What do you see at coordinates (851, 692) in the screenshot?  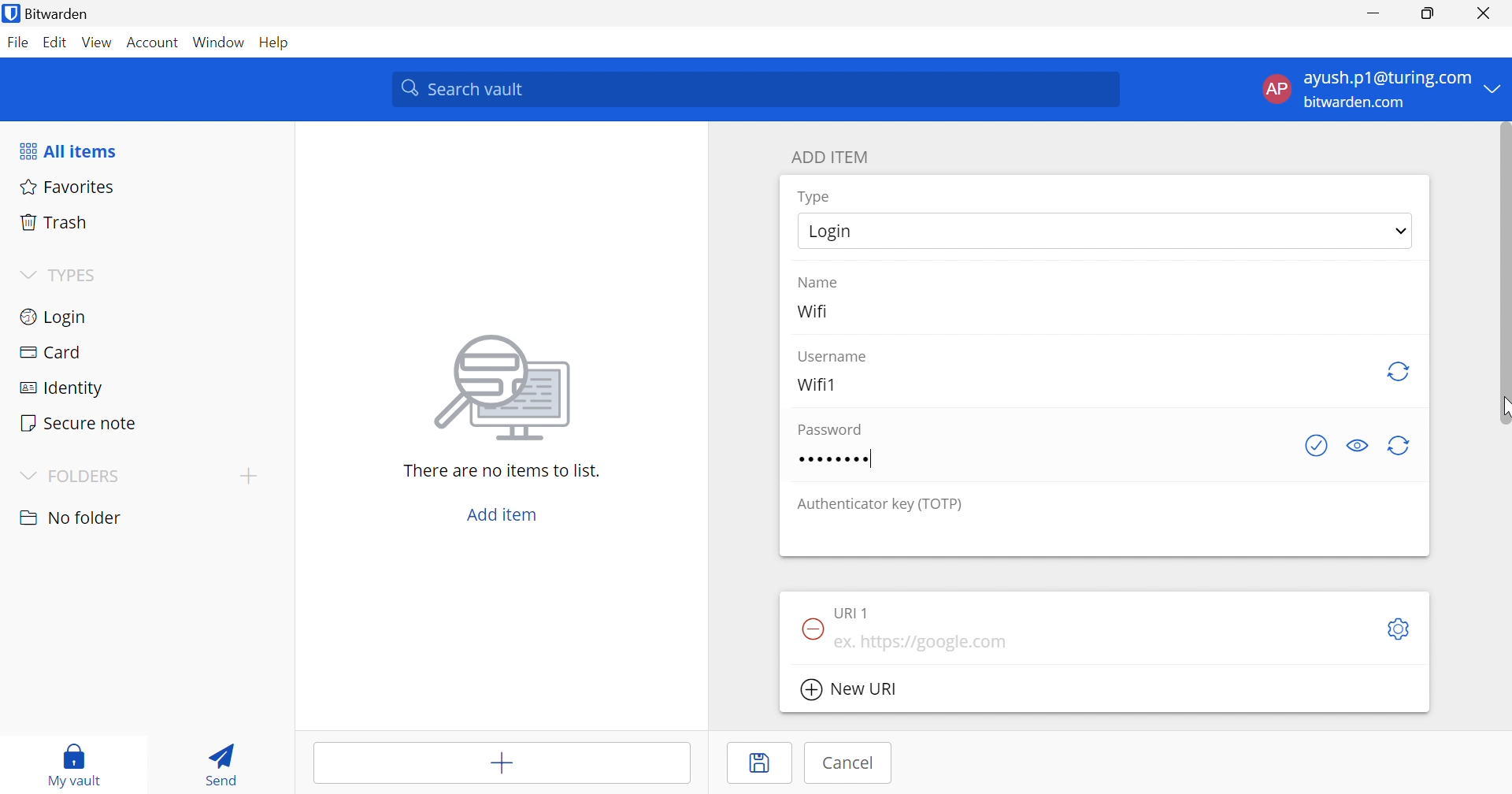 I see `New URI` at bounding box center [851, 692].